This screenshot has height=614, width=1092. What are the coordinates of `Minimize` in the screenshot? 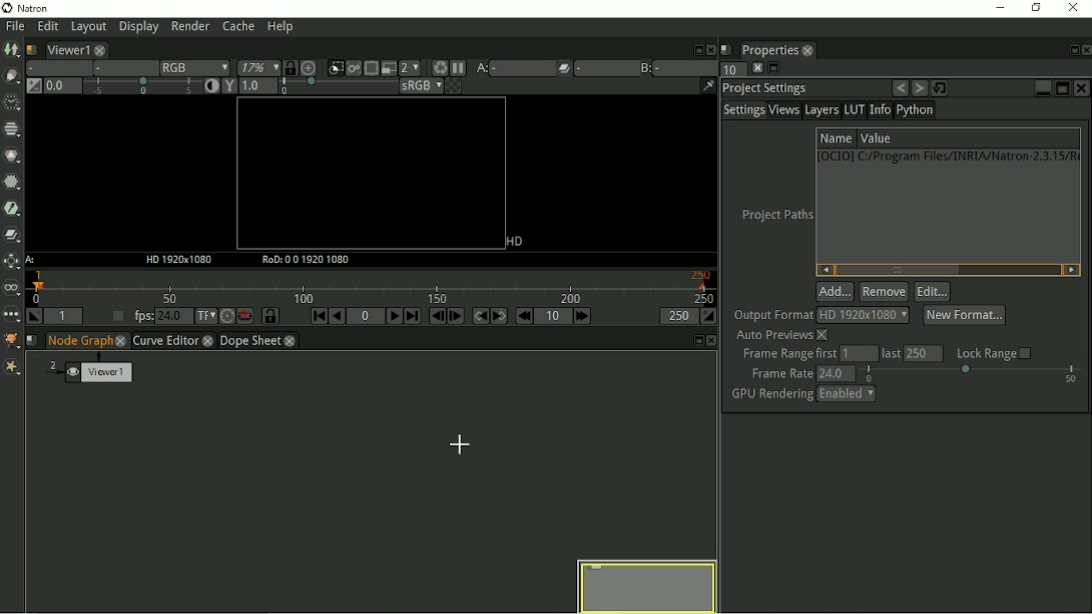 It's located at (997, 7).